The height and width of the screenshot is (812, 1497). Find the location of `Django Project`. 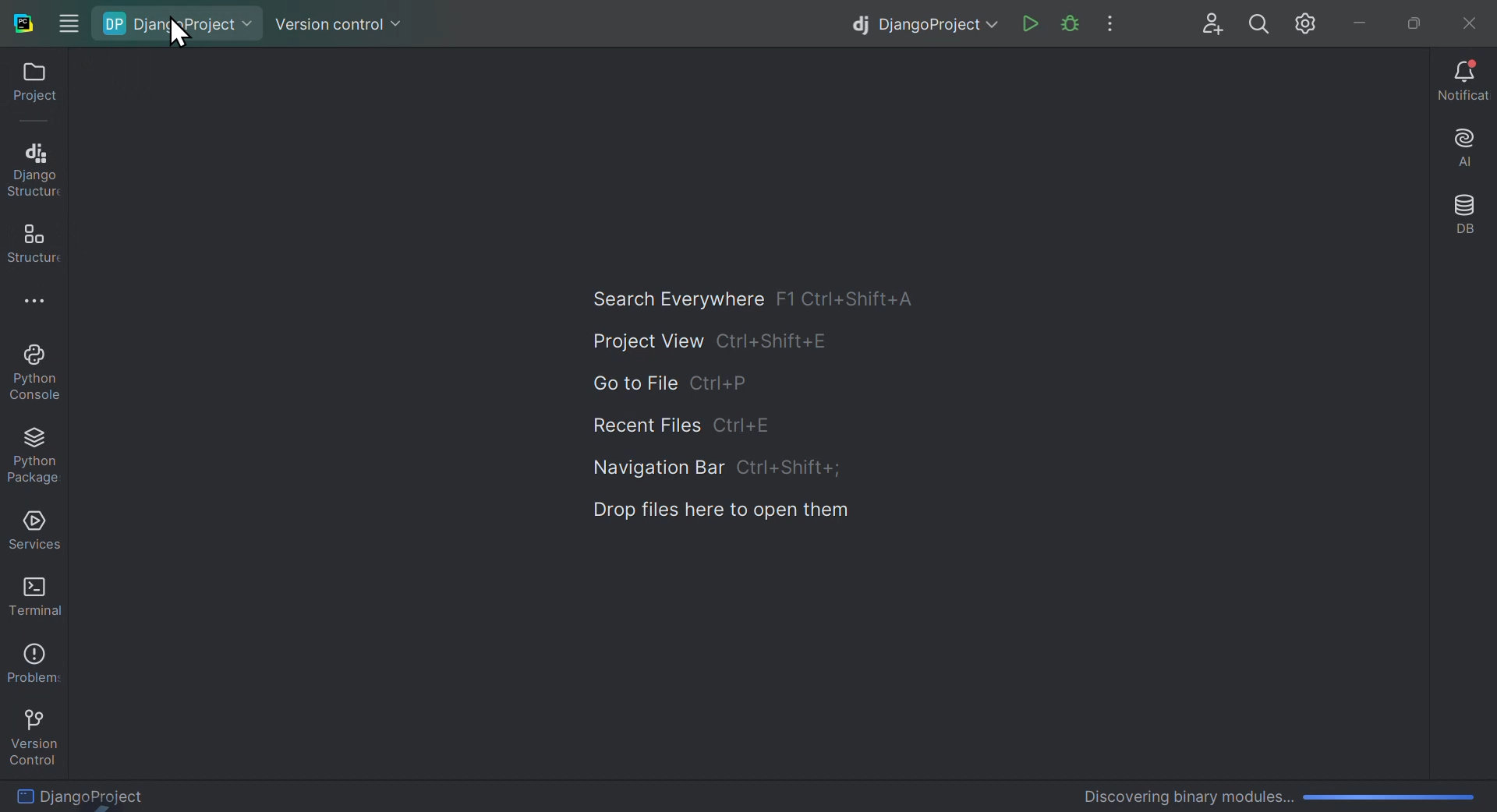

Django Project is located at coordinates (134, 793).